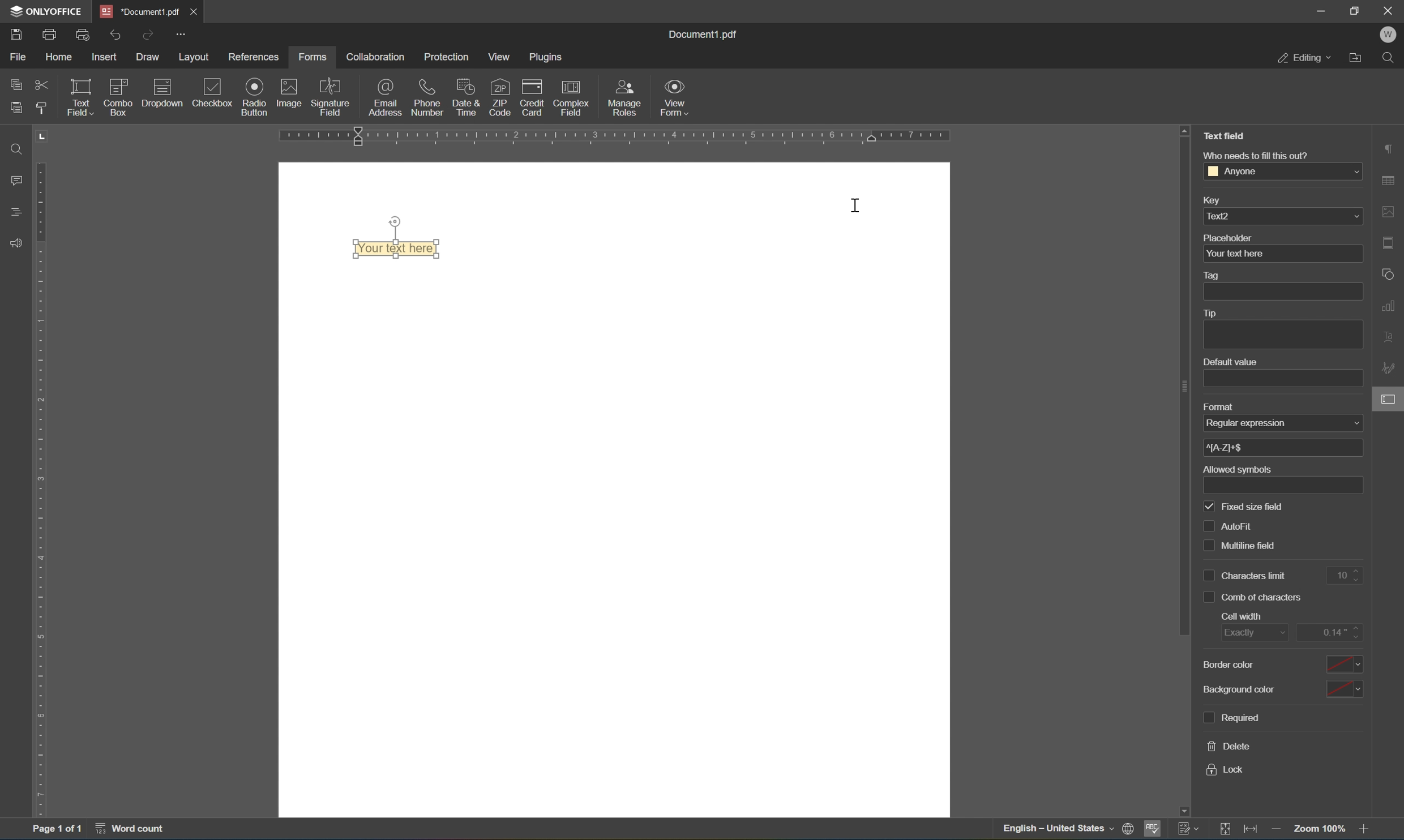  I want to click on regular expression, so click(1249, 425).